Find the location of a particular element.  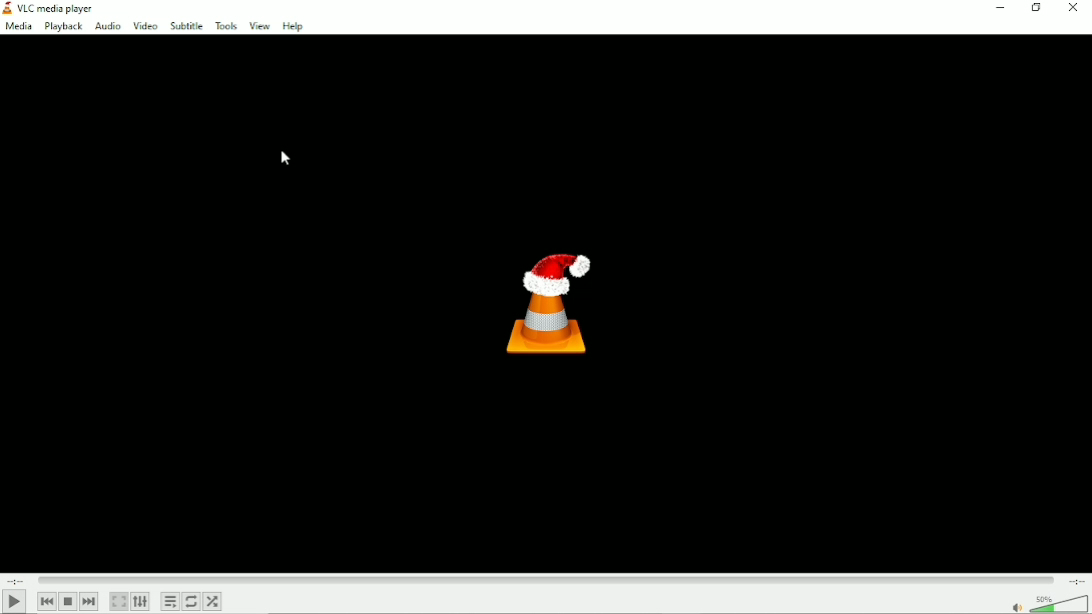

Cursor is located at coordinates (286, 158).